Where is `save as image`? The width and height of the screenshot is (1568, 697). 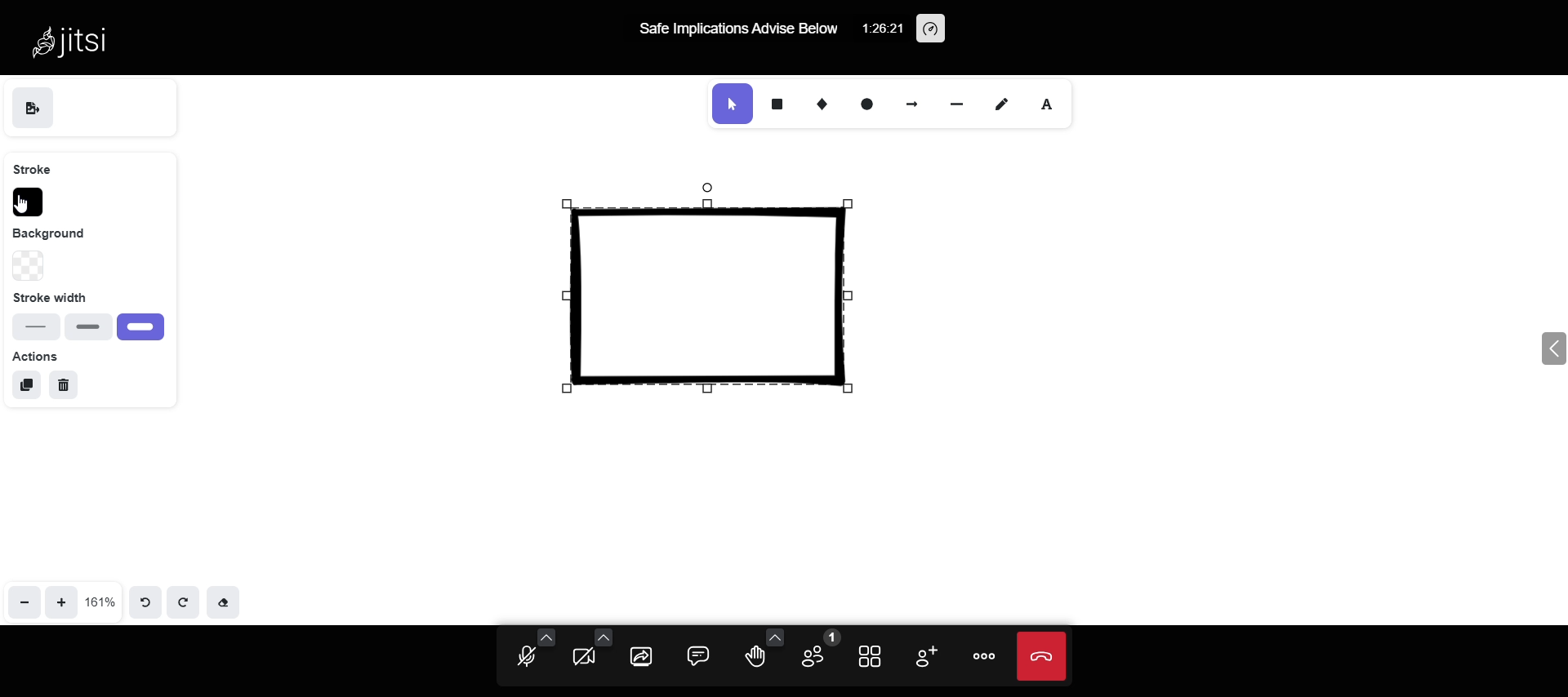 save as image is located at coordinates (30, 107).